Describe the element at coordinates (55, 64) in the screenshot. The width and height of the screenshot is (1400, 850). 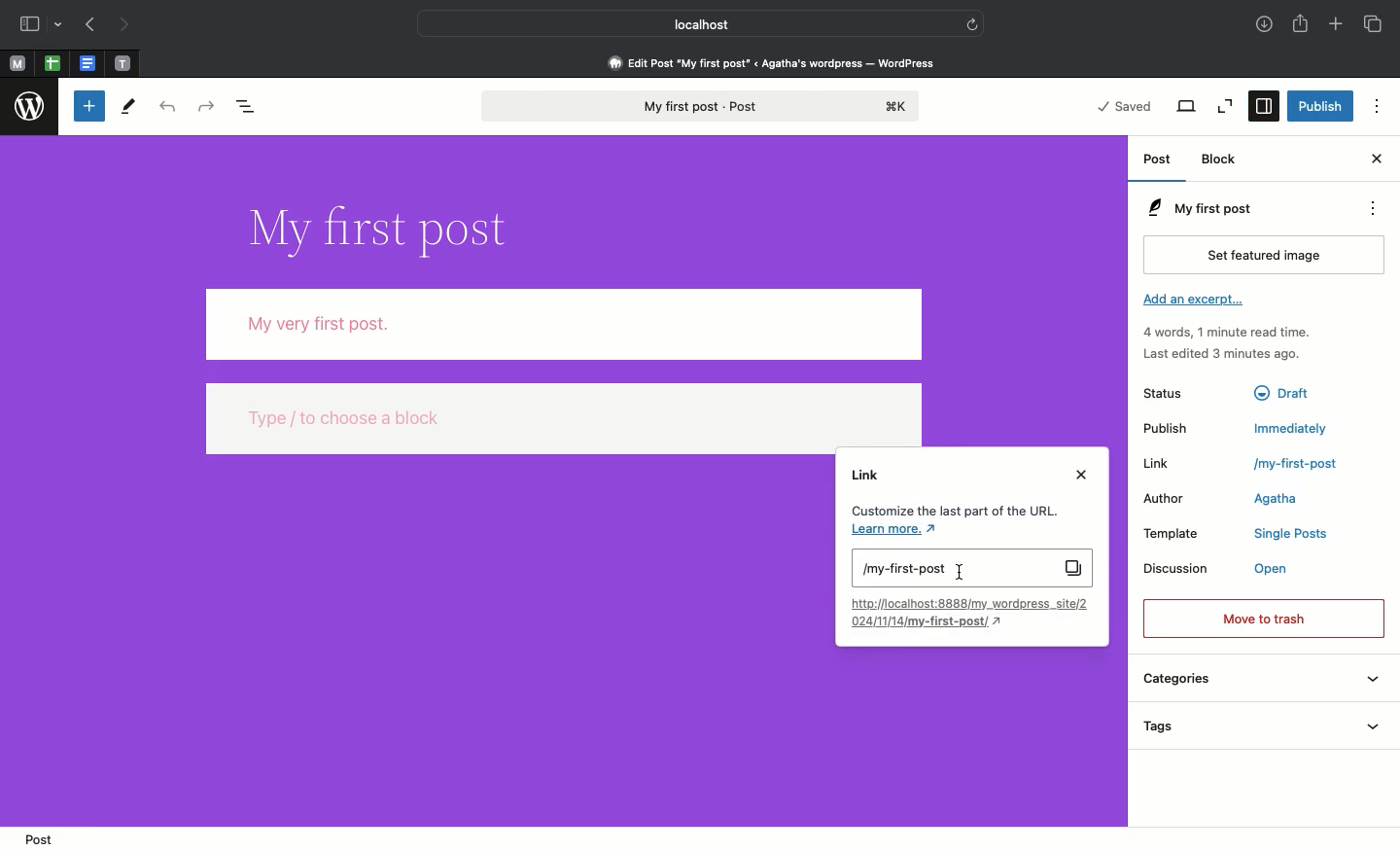
I see `pinned tabs` at that location.